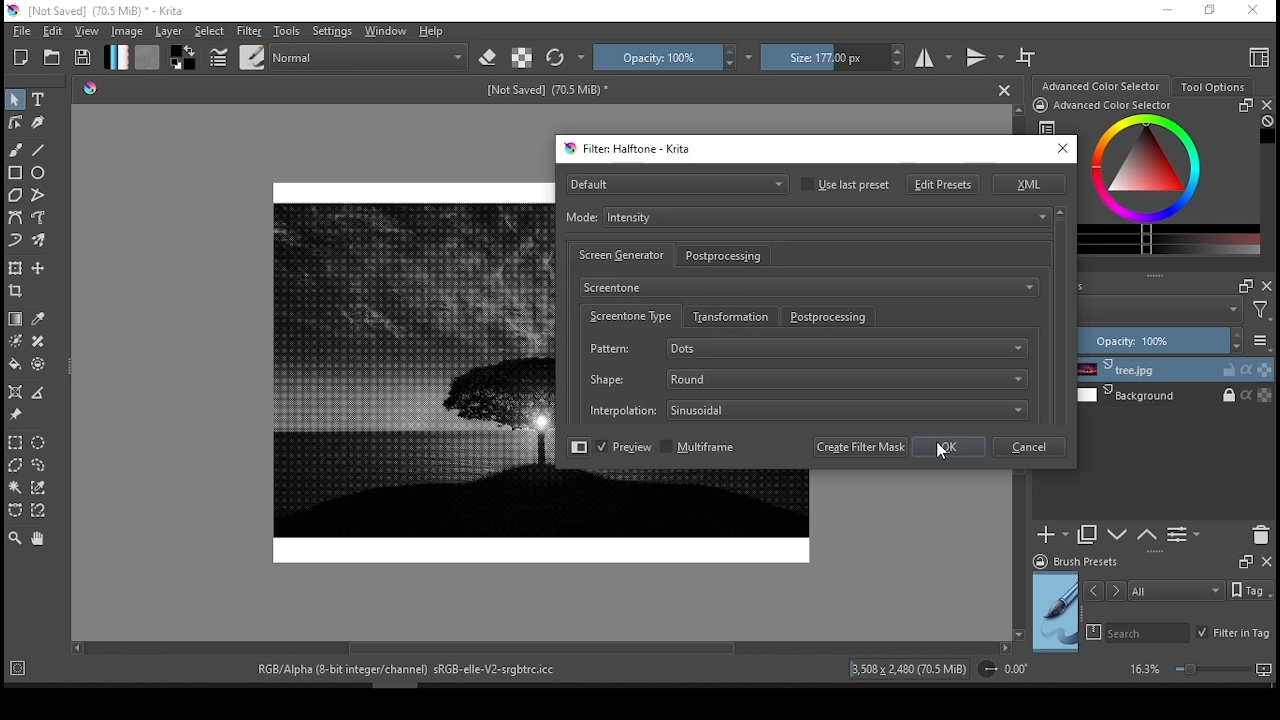  Describe the element at coordinates (804, 217) in the screenshot. I see `mode` at that location.